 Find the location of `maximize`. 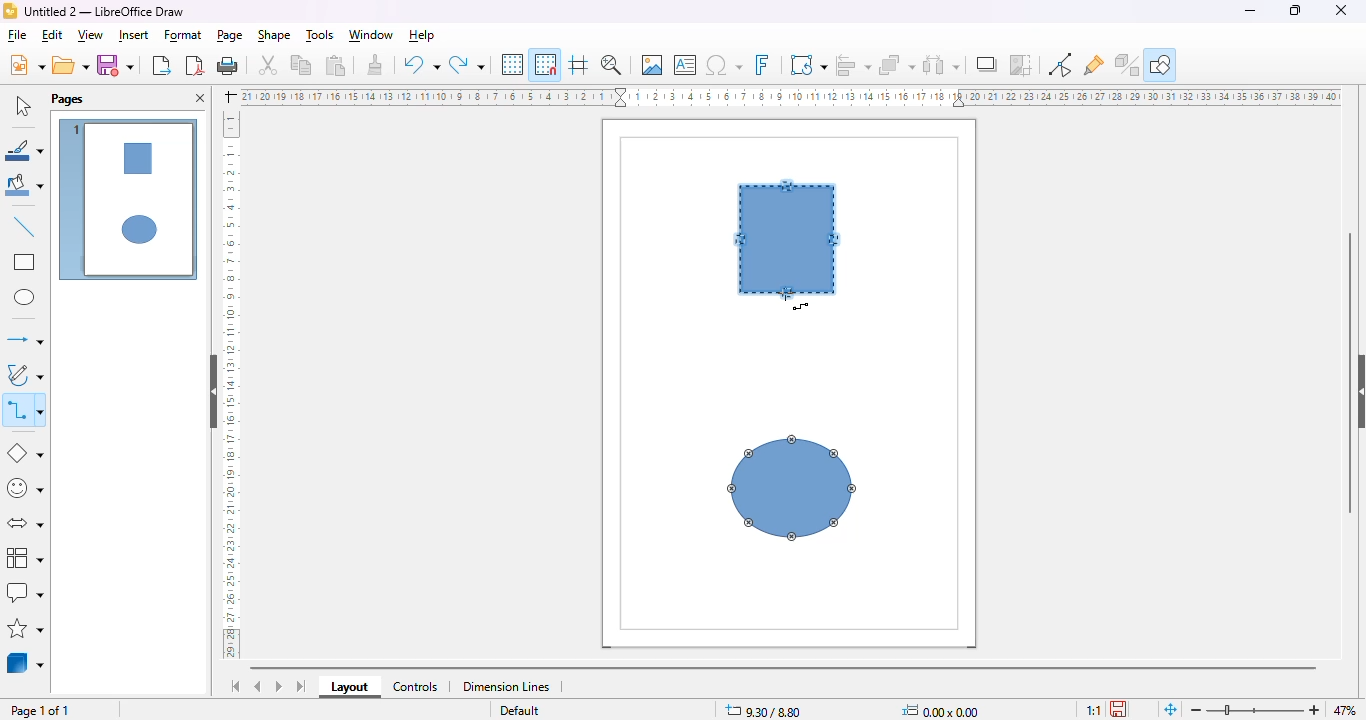

maximize is located at coordinates (1295, 10).